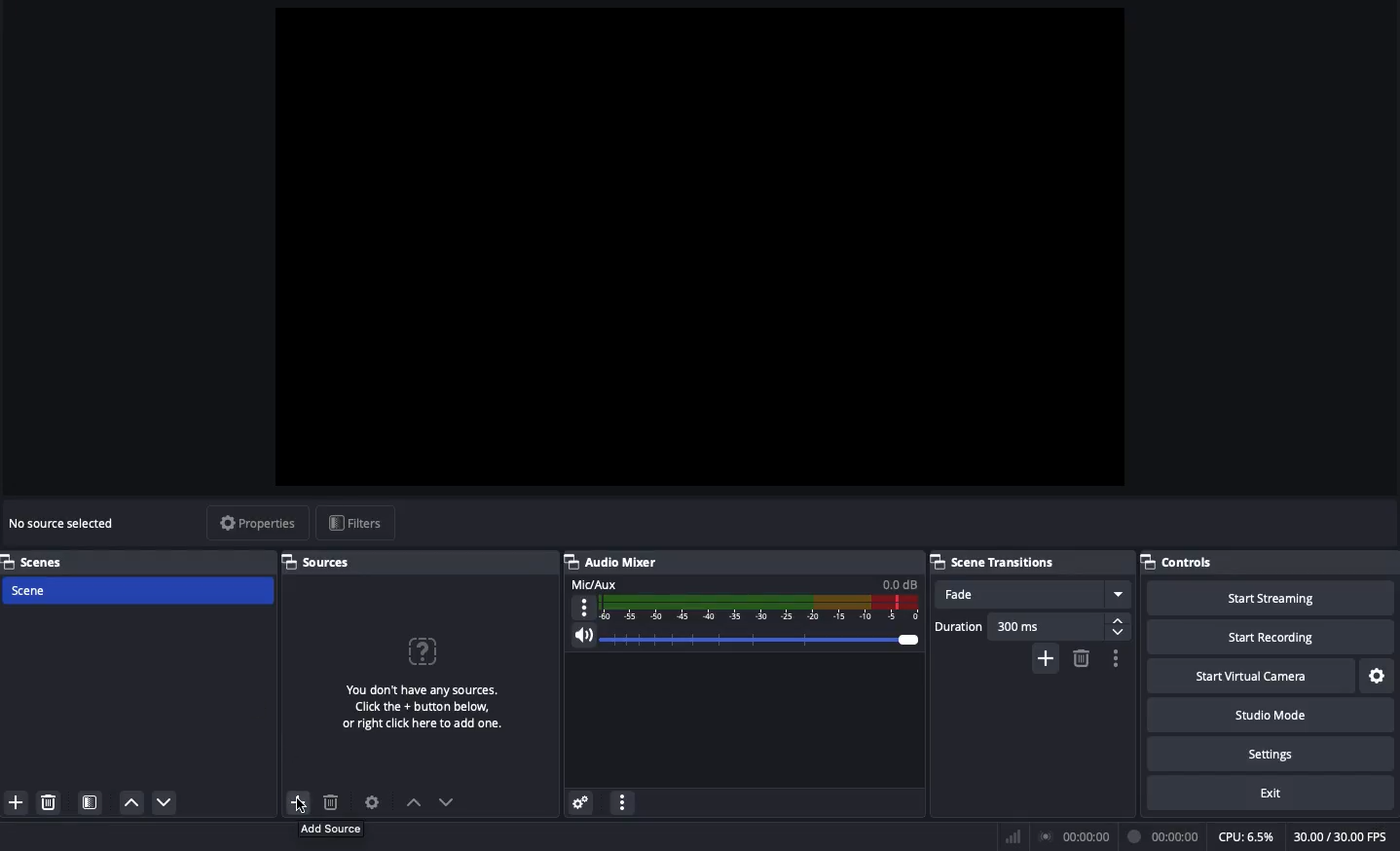 This screenshot has width=1400, height=851. What do you see at coordinates (1248, 836) in the screenshot?
I see `CPU` at bounding box center [1248, 836].